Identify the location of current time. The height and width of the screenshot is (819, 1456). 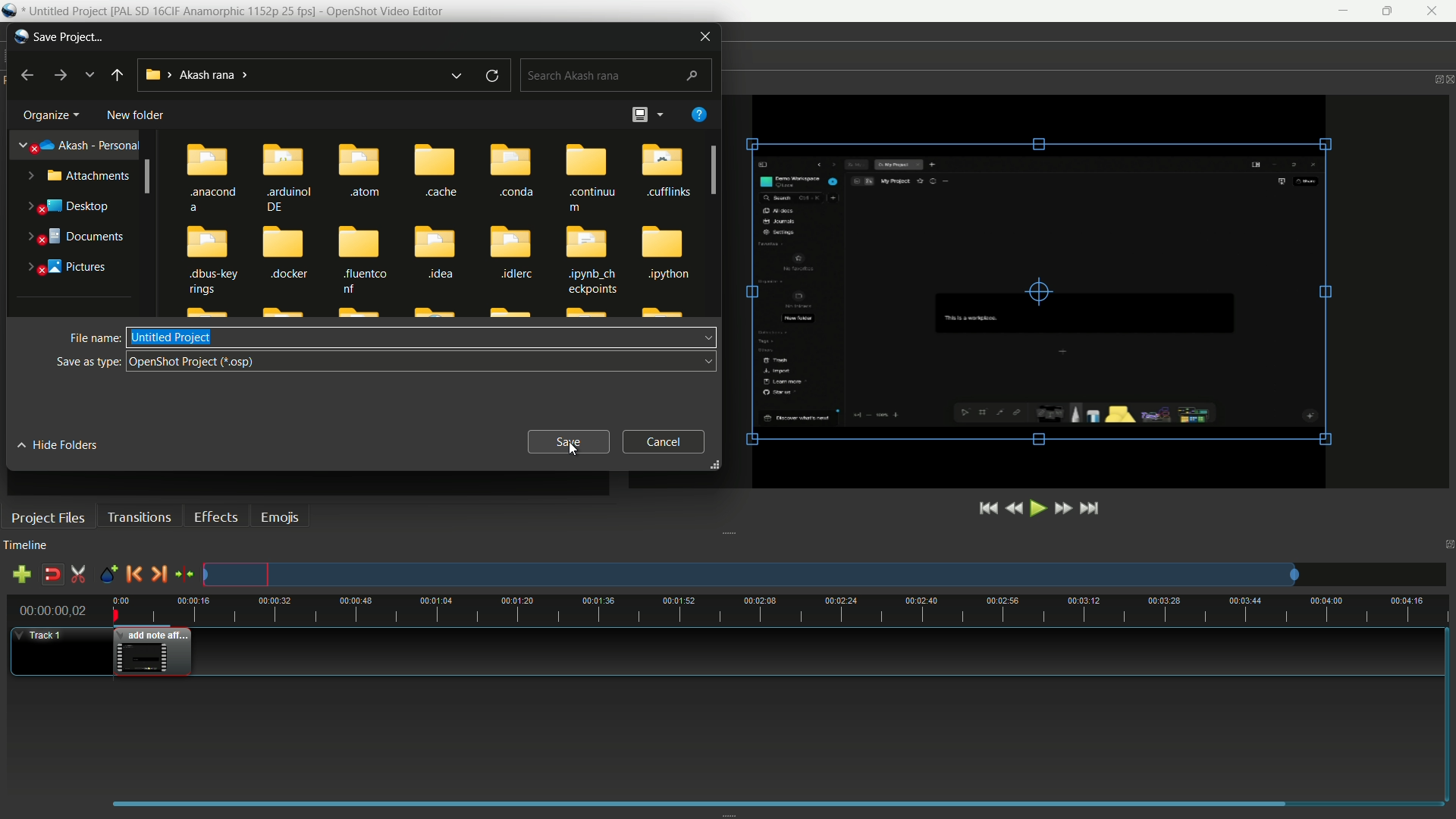
(53, 610).